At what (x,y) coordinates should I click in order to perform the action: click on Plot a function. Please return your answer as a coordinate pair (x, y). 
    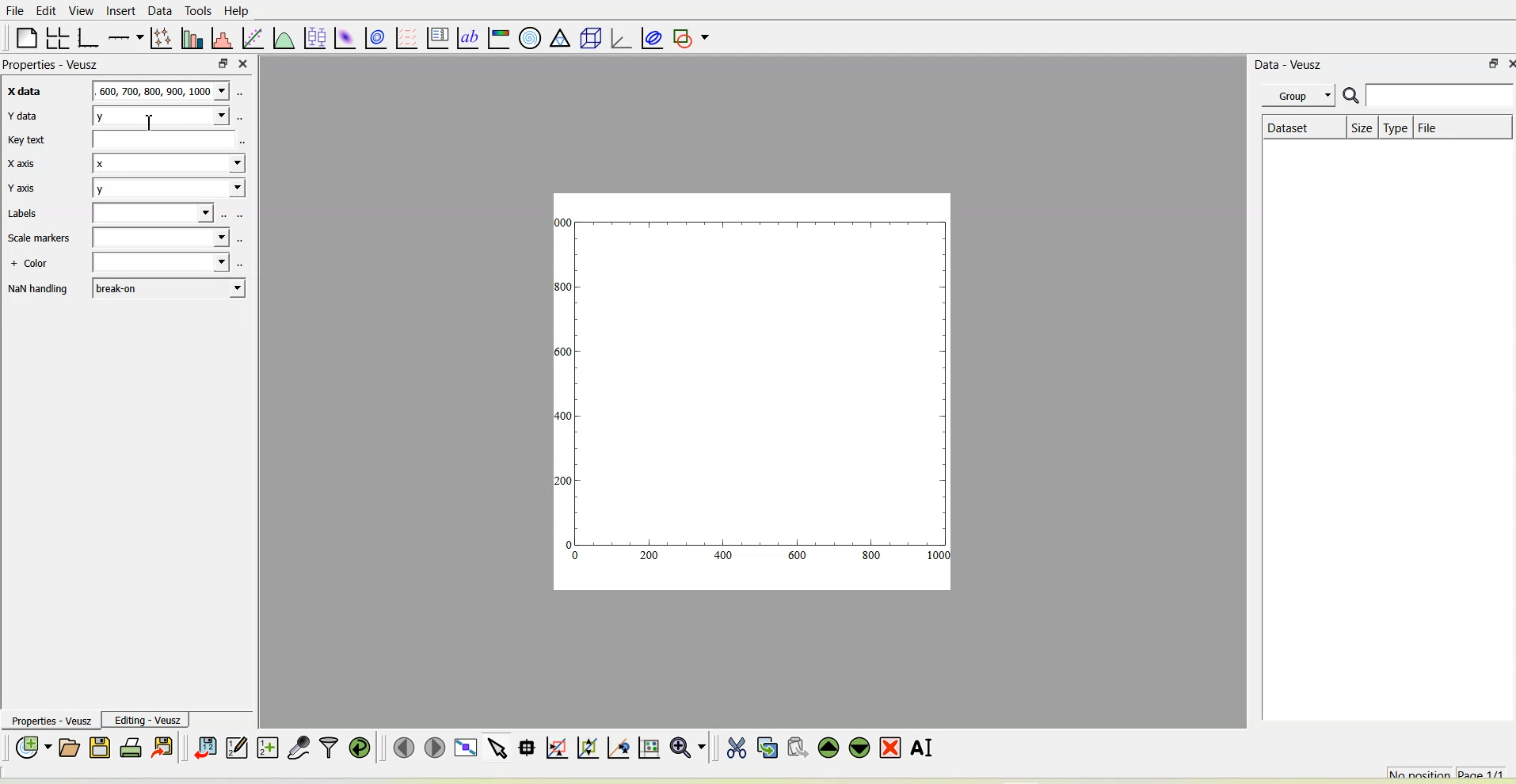
    Looking at the image, I should click on (284, 38).